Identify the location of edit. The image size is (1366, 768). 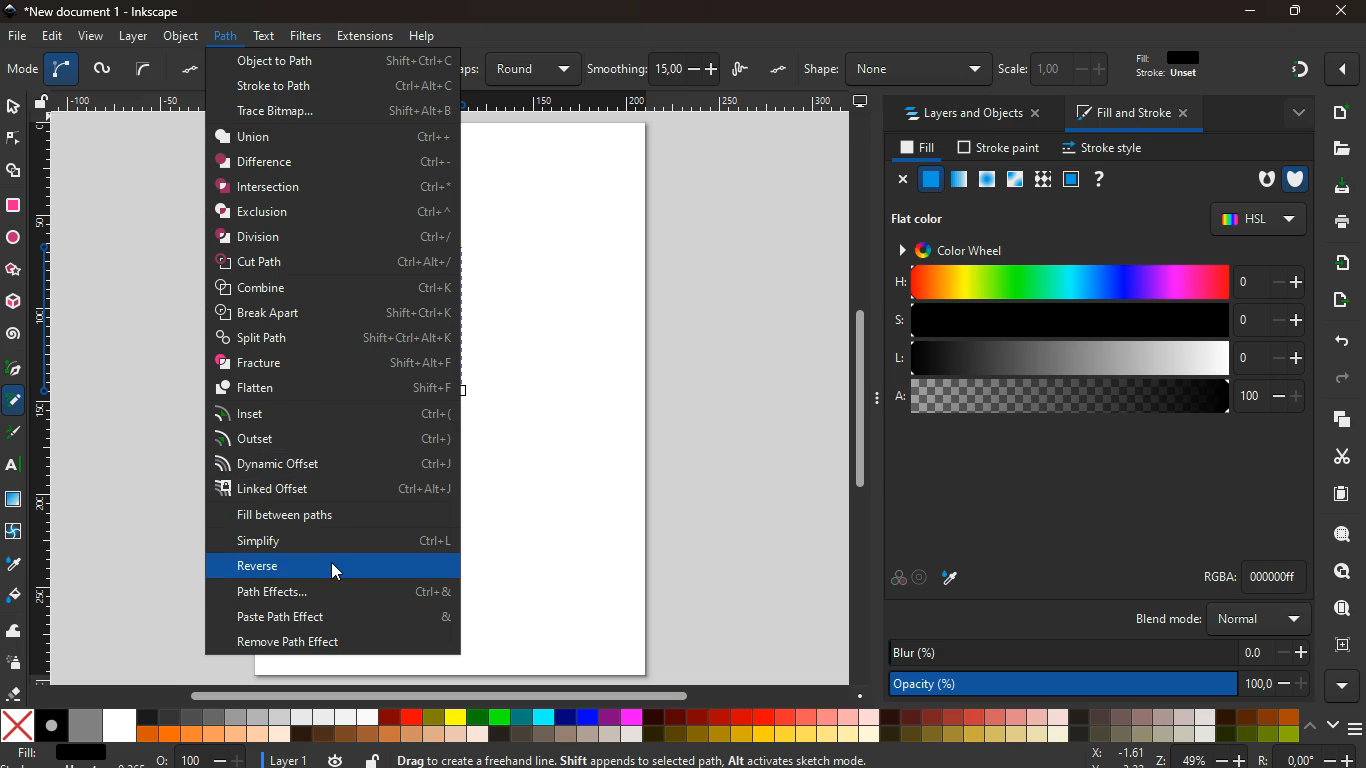
(54, 36).